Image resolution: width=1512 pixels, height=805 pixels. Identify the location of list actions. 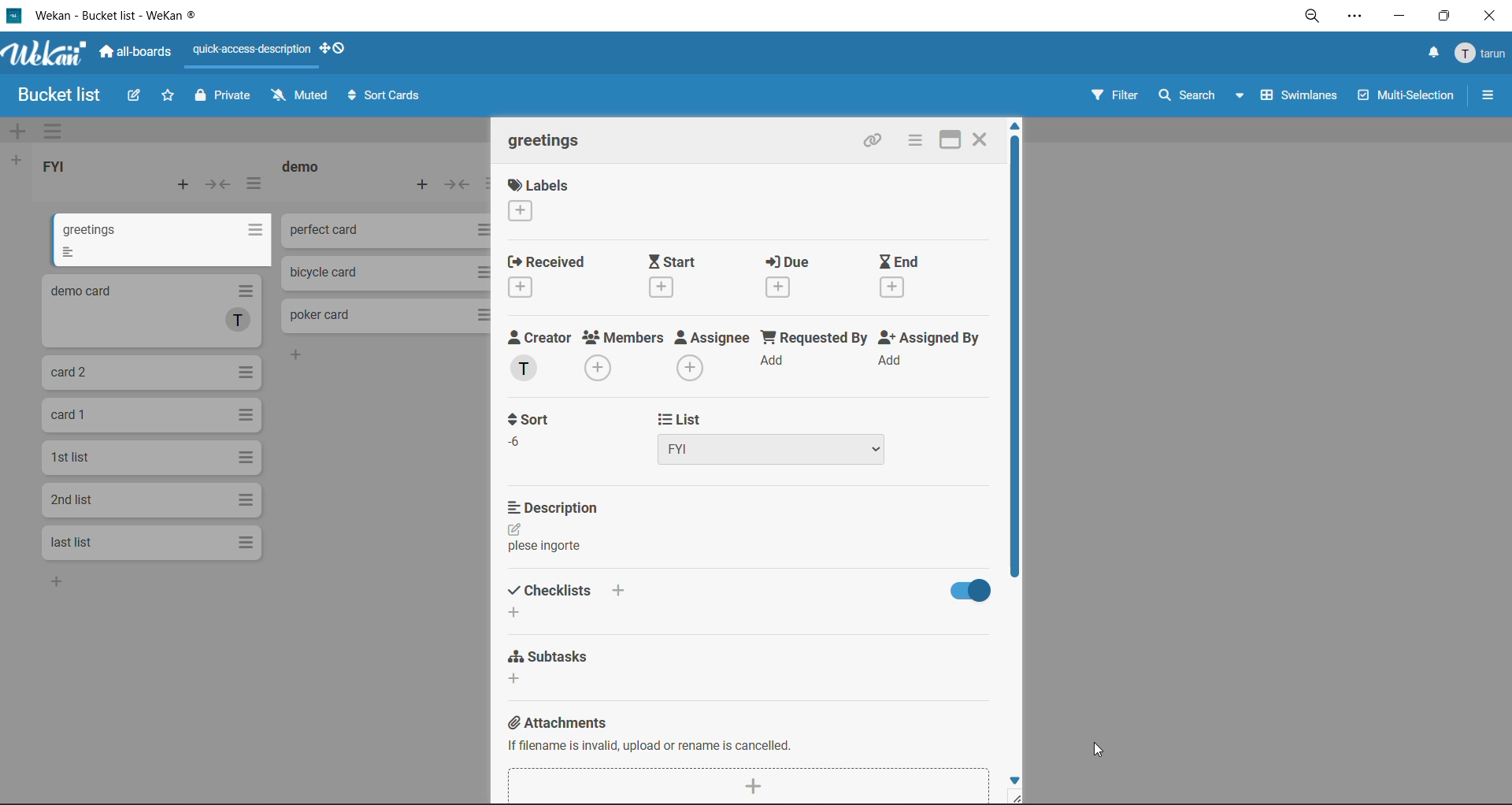
(256, 187).